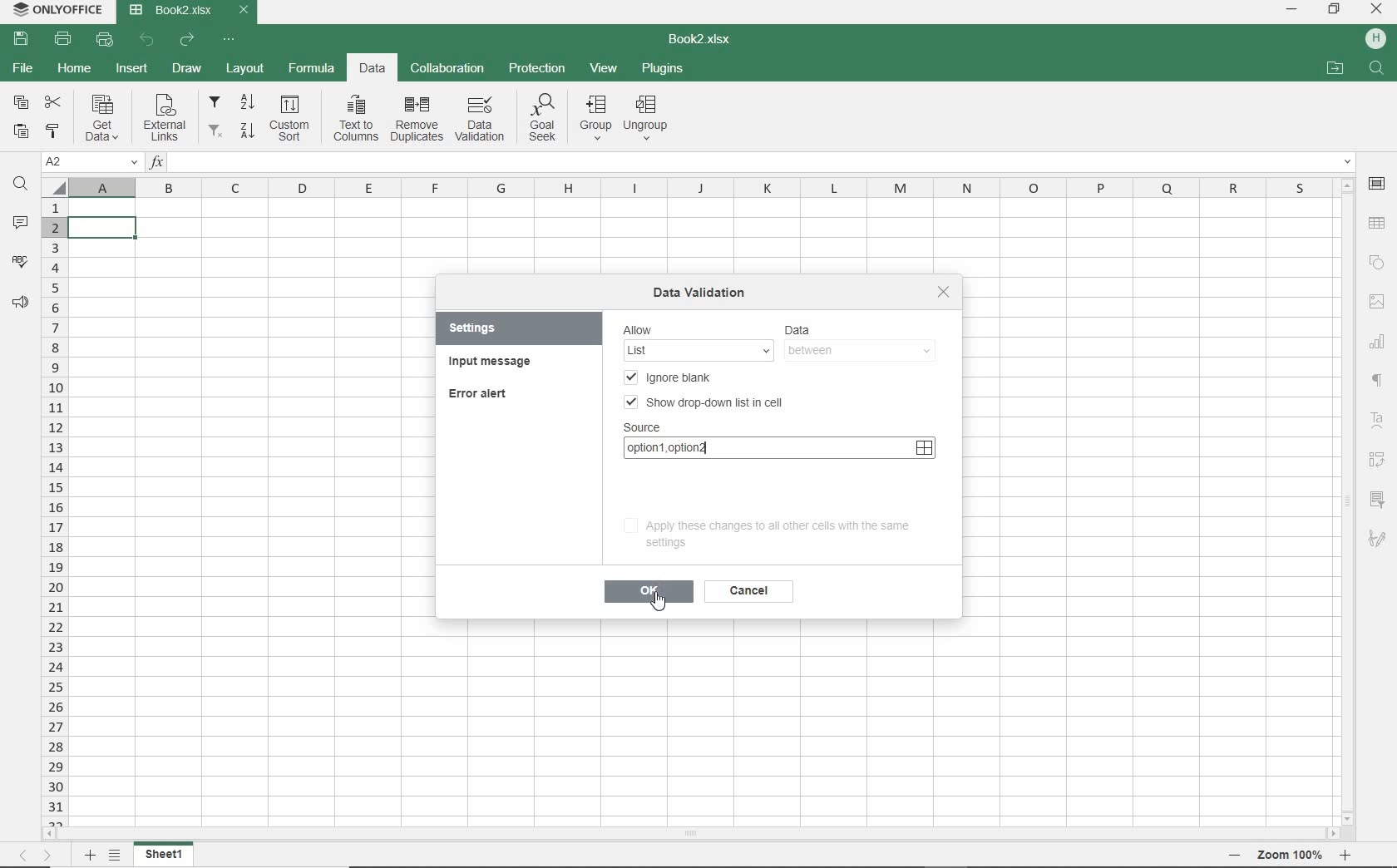  What do you see at coordinates (1377, 501) in the screenshot?
I see `SLICER` at bounding box center [1377, 501].